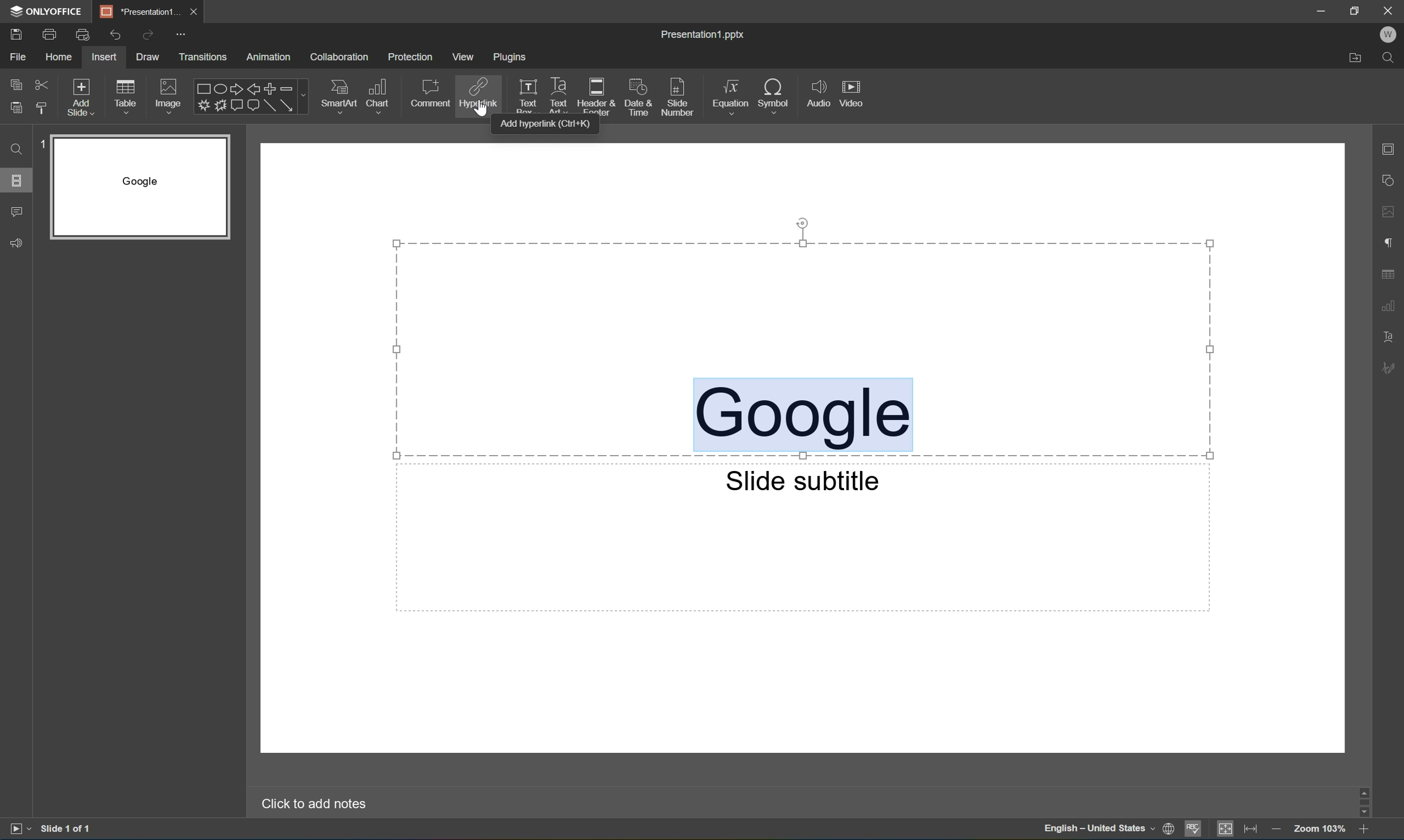 Image resolution: width=1404 pixels, height=840 pixels. I want to click on File, so click(22, 55).